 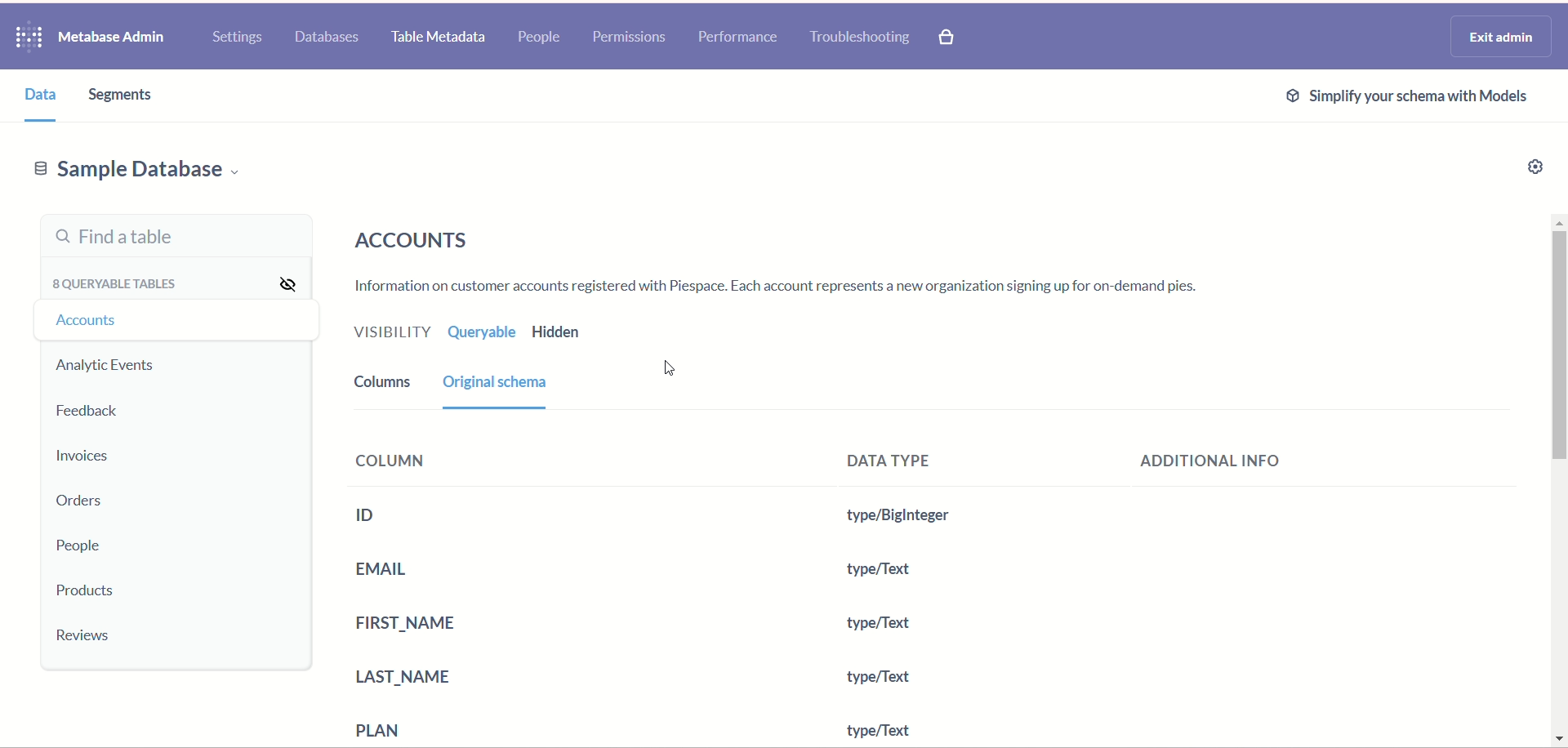 What do you see at coordinates (131, 171) in the screenshot?
I see `sample database` at bounding box center [131, 171].